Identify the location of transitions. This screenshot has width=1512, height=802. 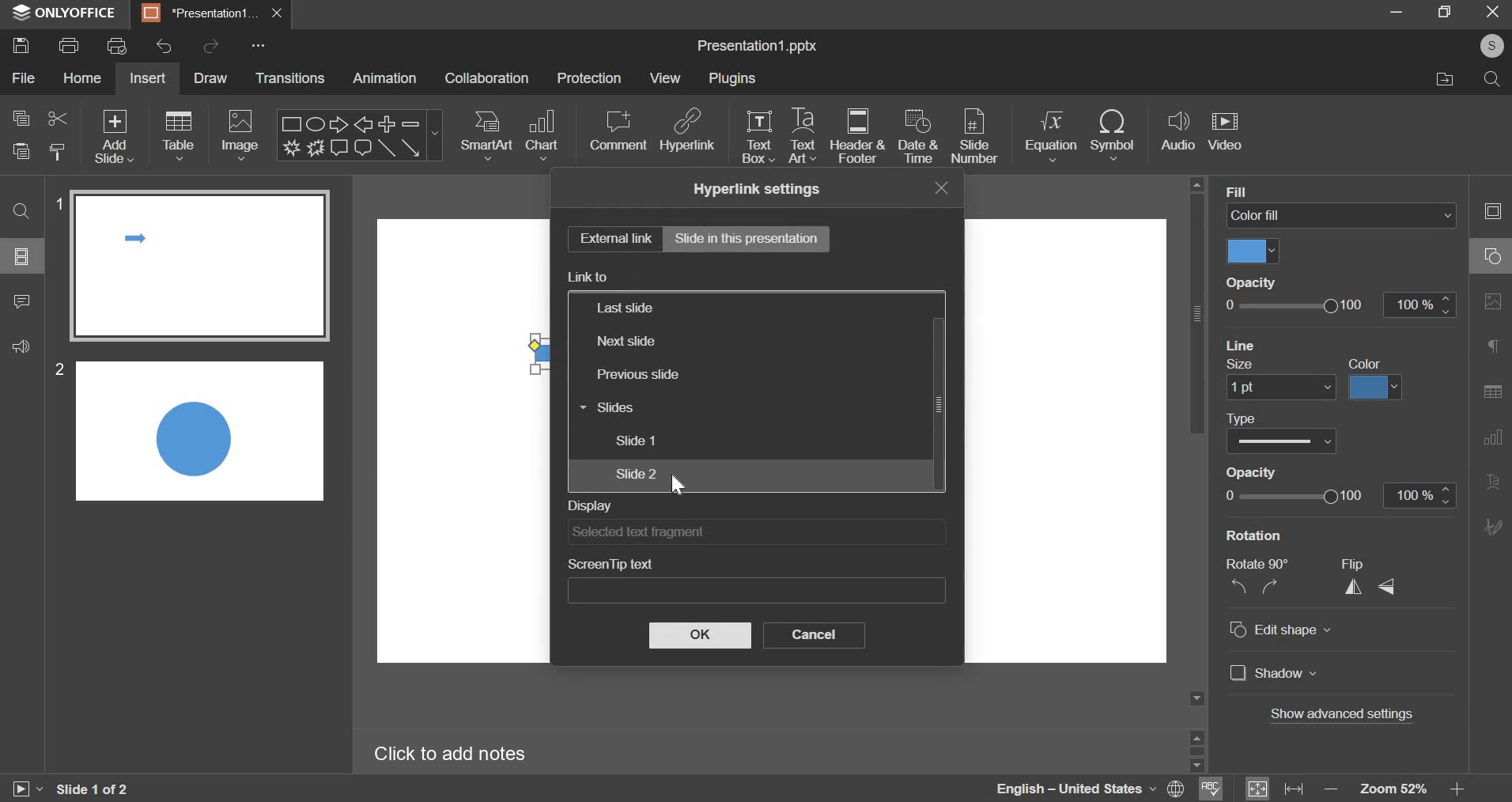
(287, 77).